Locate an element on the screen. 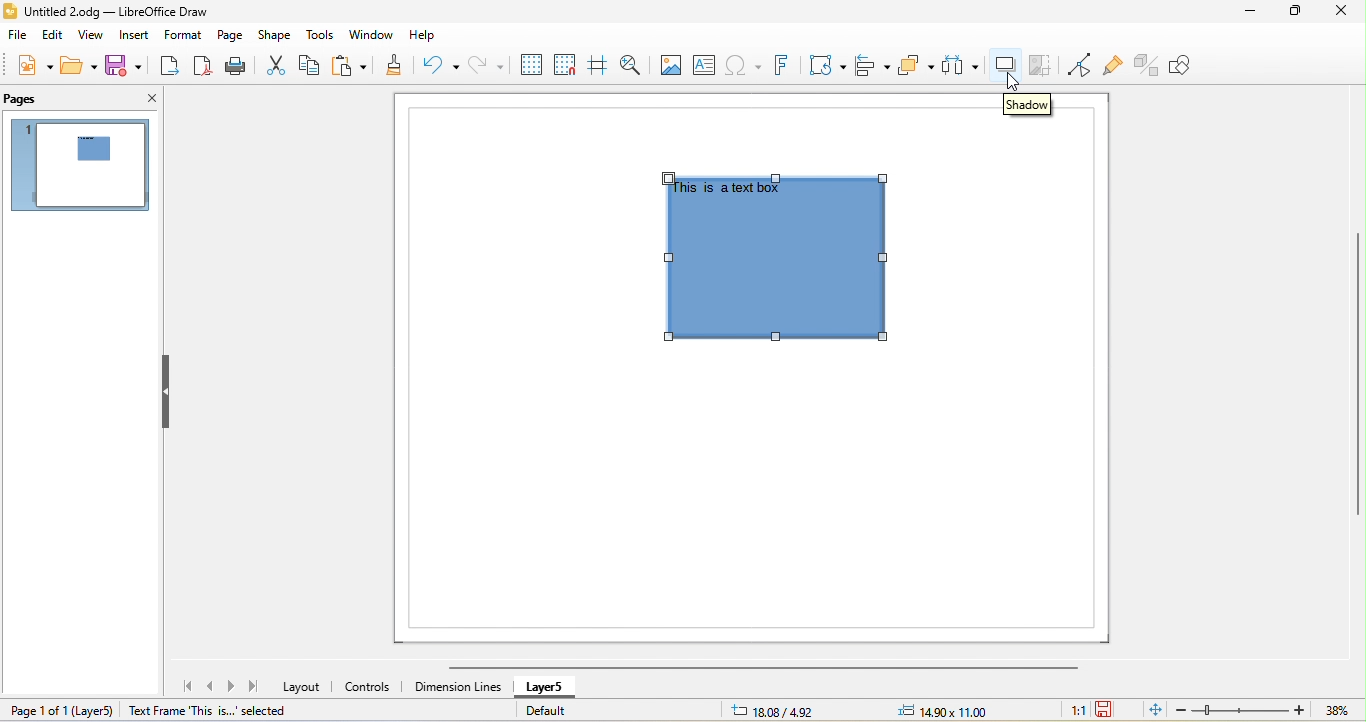  cut is located at coordinates (275, 66).